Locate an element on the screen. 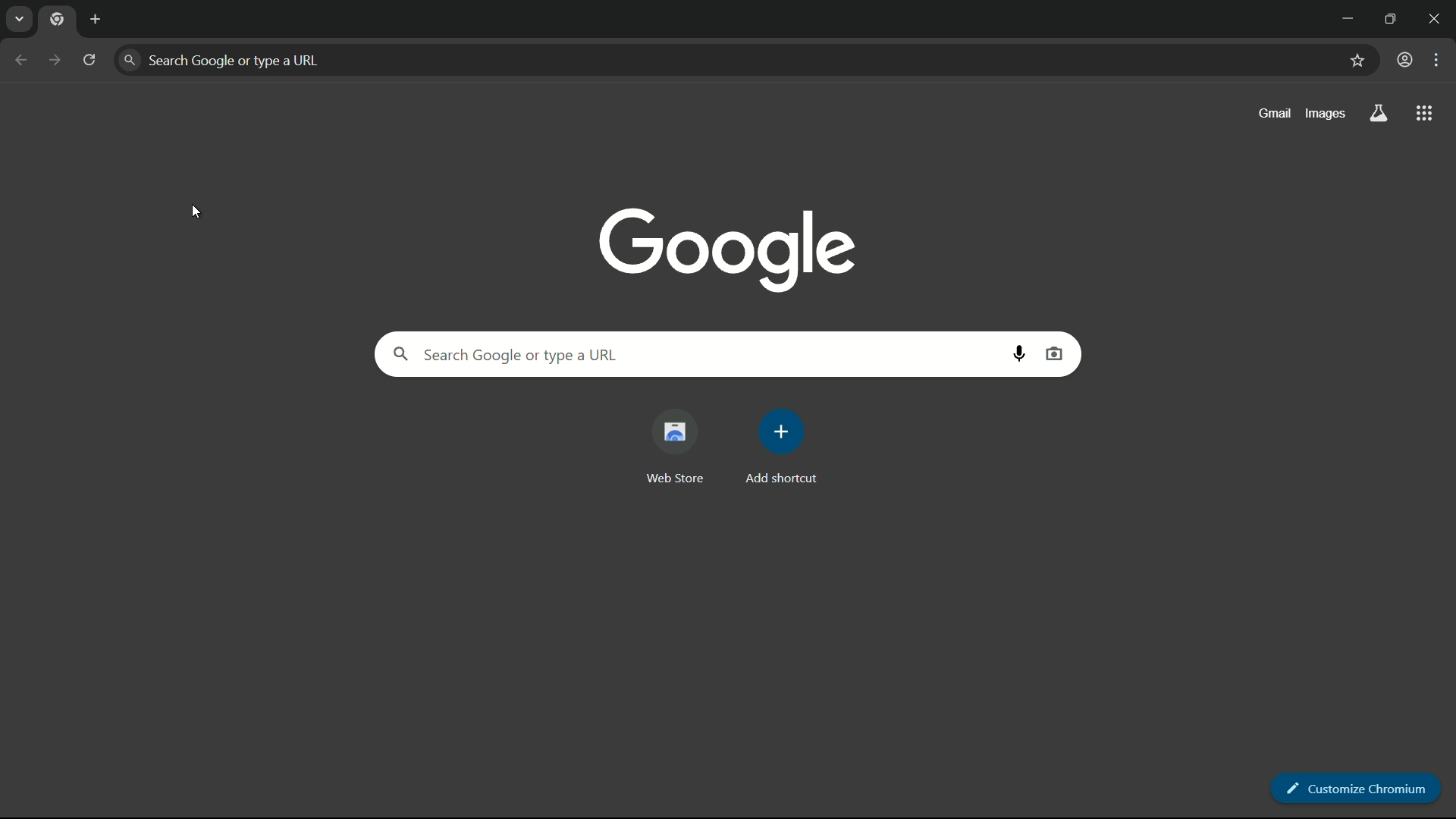  bookmark this tab is located at coordinates (1357, 61).